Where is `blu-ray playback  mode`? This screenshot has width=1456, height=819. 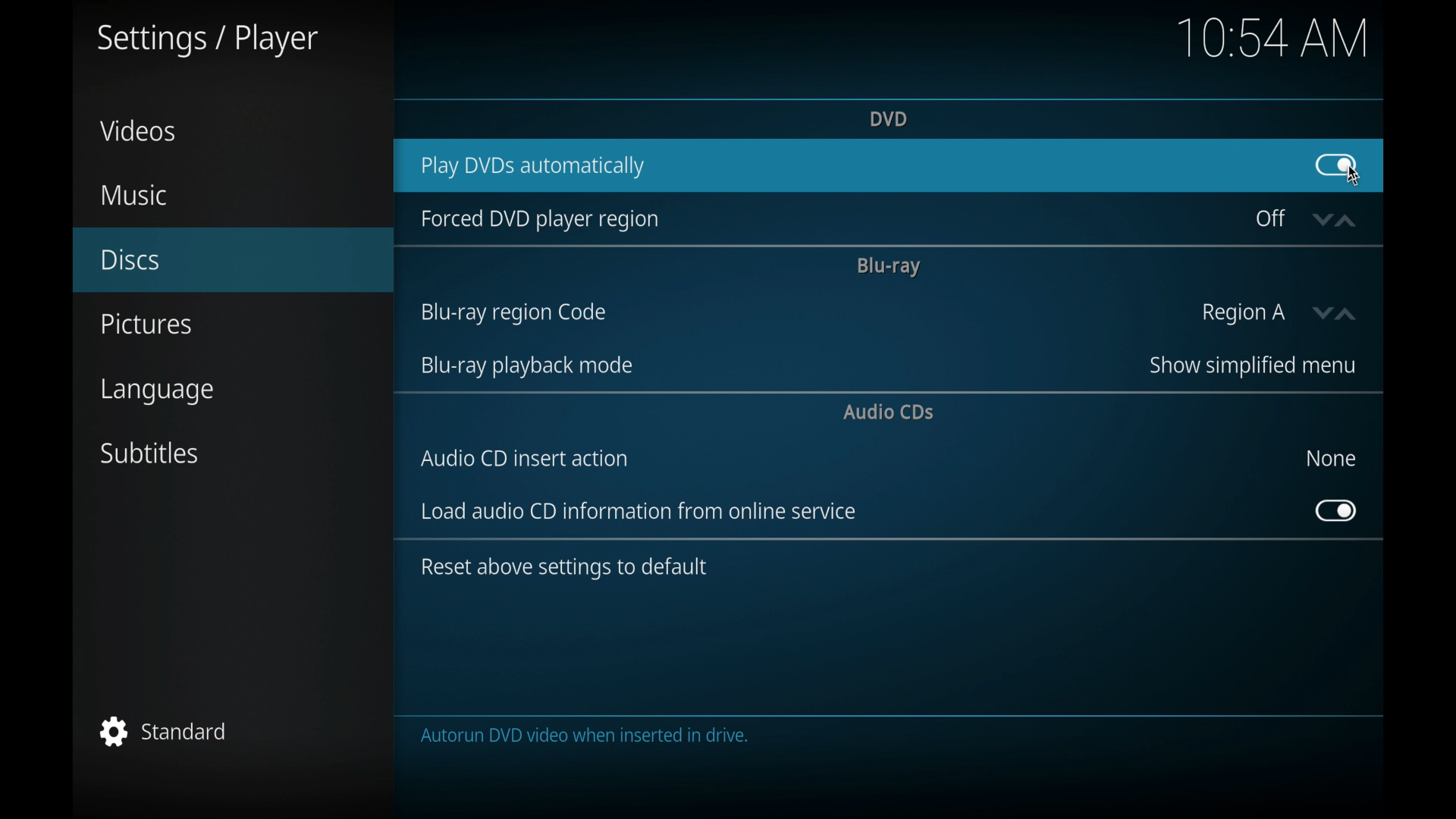 blu-ray playback  mode is located at coordinates (525, 366).